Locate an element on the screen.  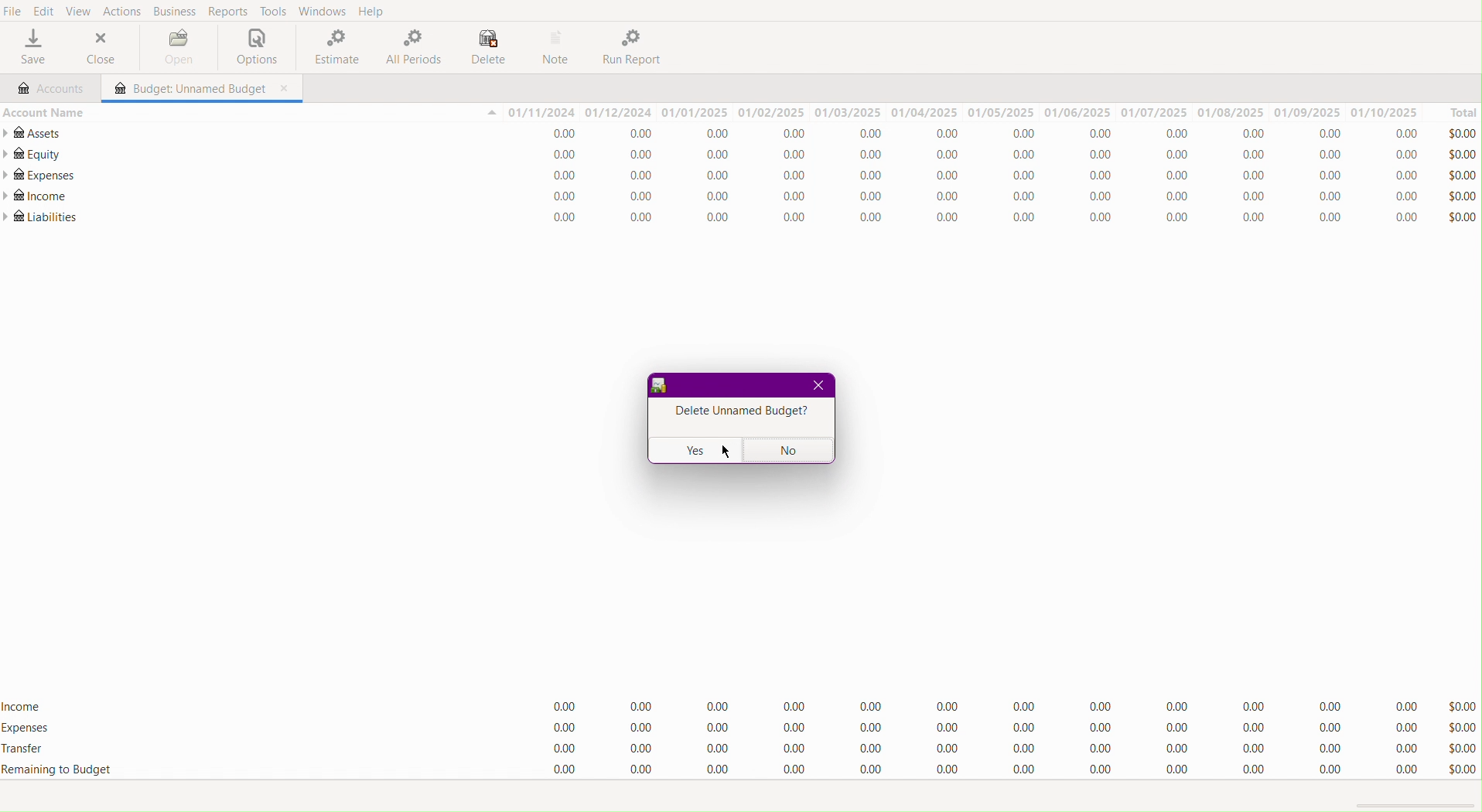
Estimate is located at coordinates (333, 48).